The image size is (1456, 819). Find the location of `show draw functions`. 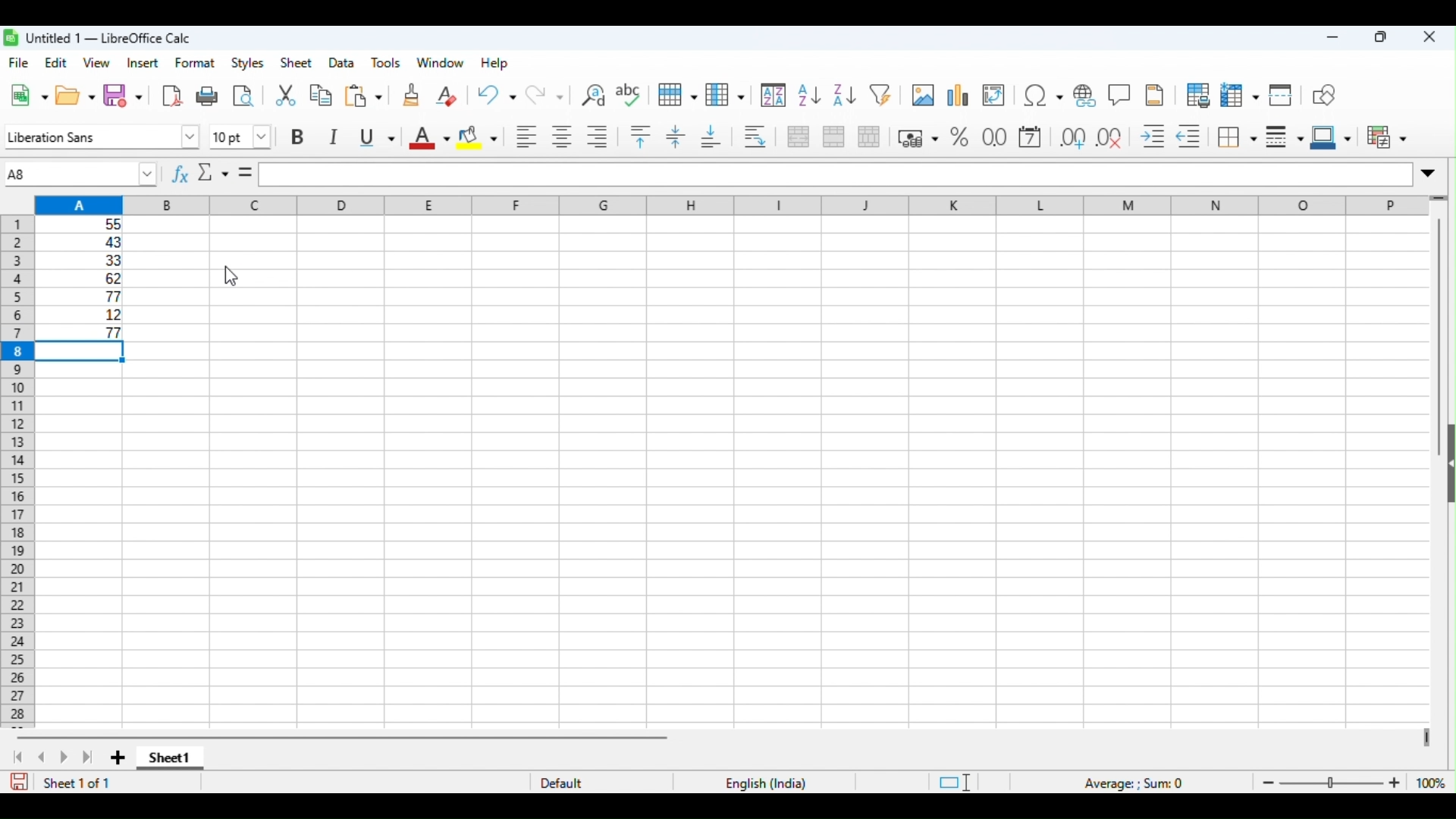

show draw functions is located at coordinates (1327, 93).